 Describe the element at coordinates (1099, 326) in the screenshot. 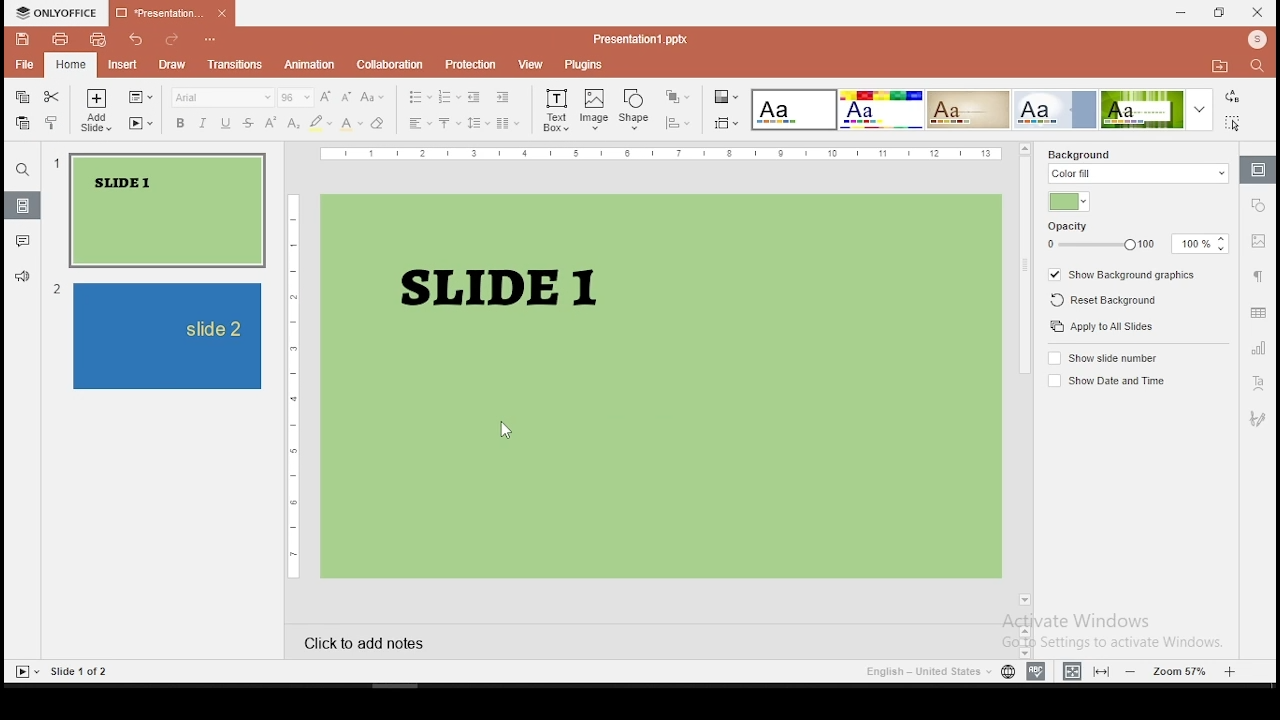

I see `apply to all slides` at that location.